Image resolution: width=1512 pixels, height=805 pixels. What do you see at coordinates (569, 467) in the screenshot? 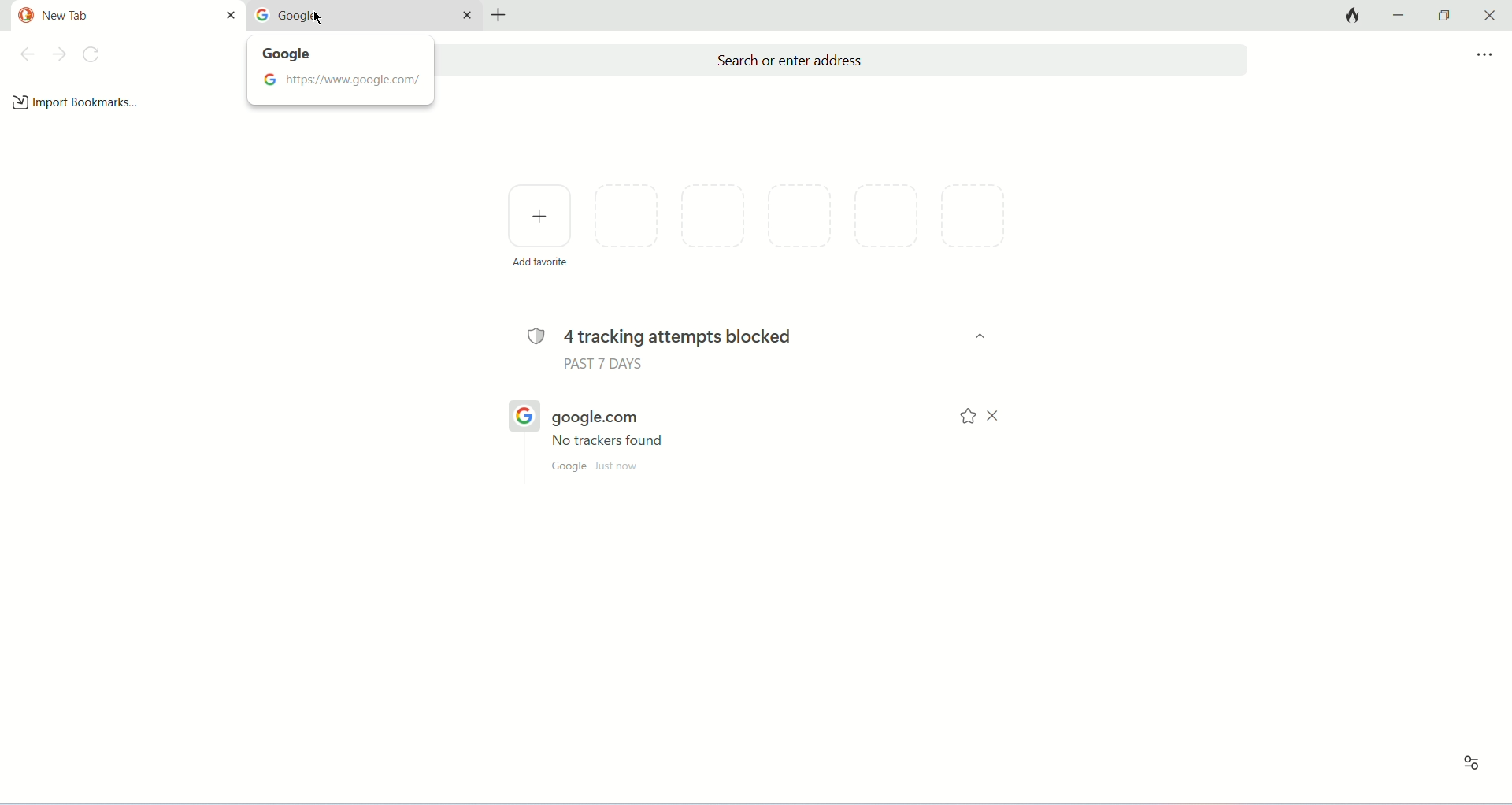
I see `google` at bounding box center [569, 467].